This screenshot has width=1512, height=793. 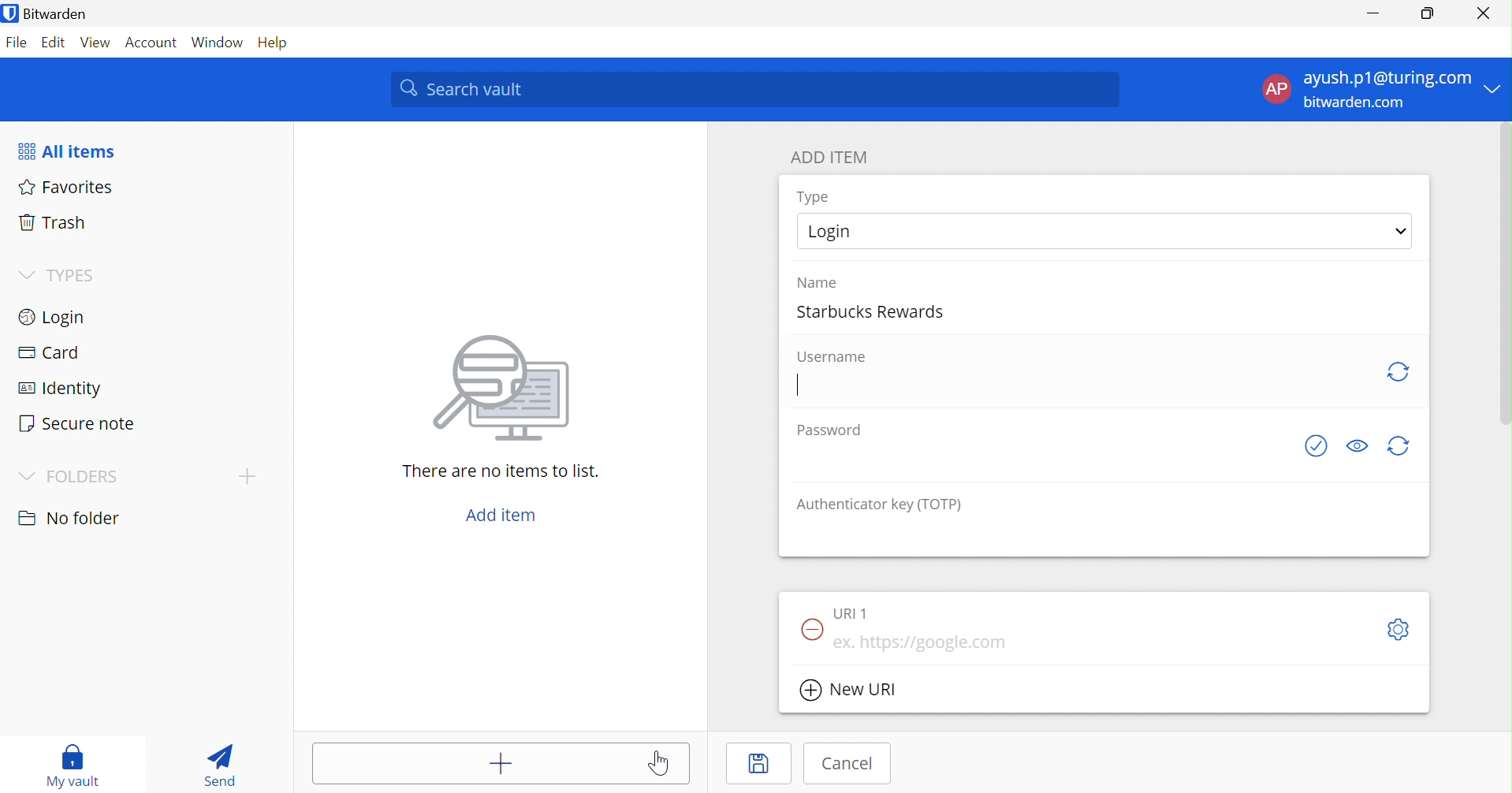 What do you see at coordinates (77, 766) in the screenshot?
I see `My vault` at bounding box center [77, 766].